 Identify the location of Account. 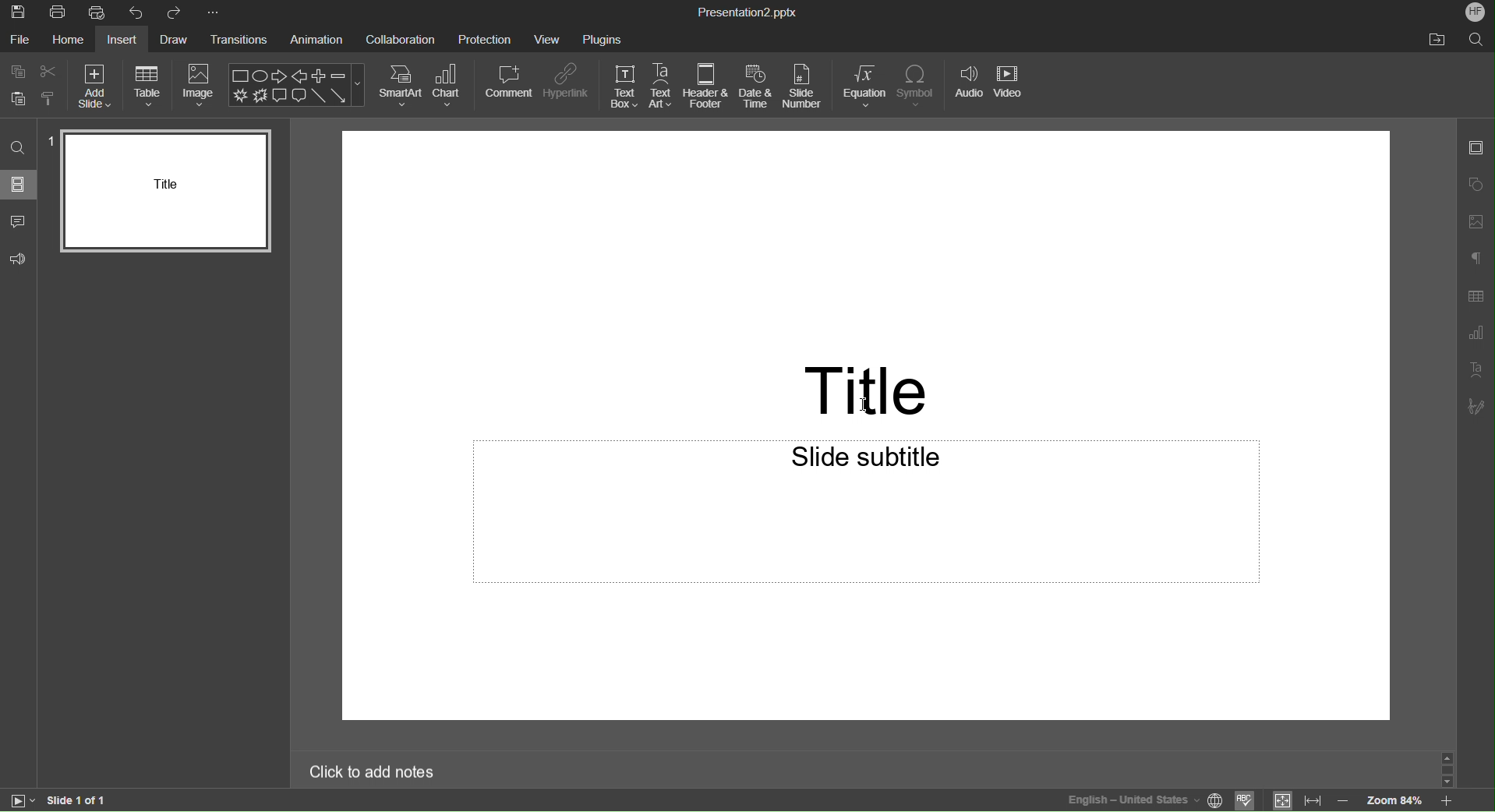
(1476, 12).